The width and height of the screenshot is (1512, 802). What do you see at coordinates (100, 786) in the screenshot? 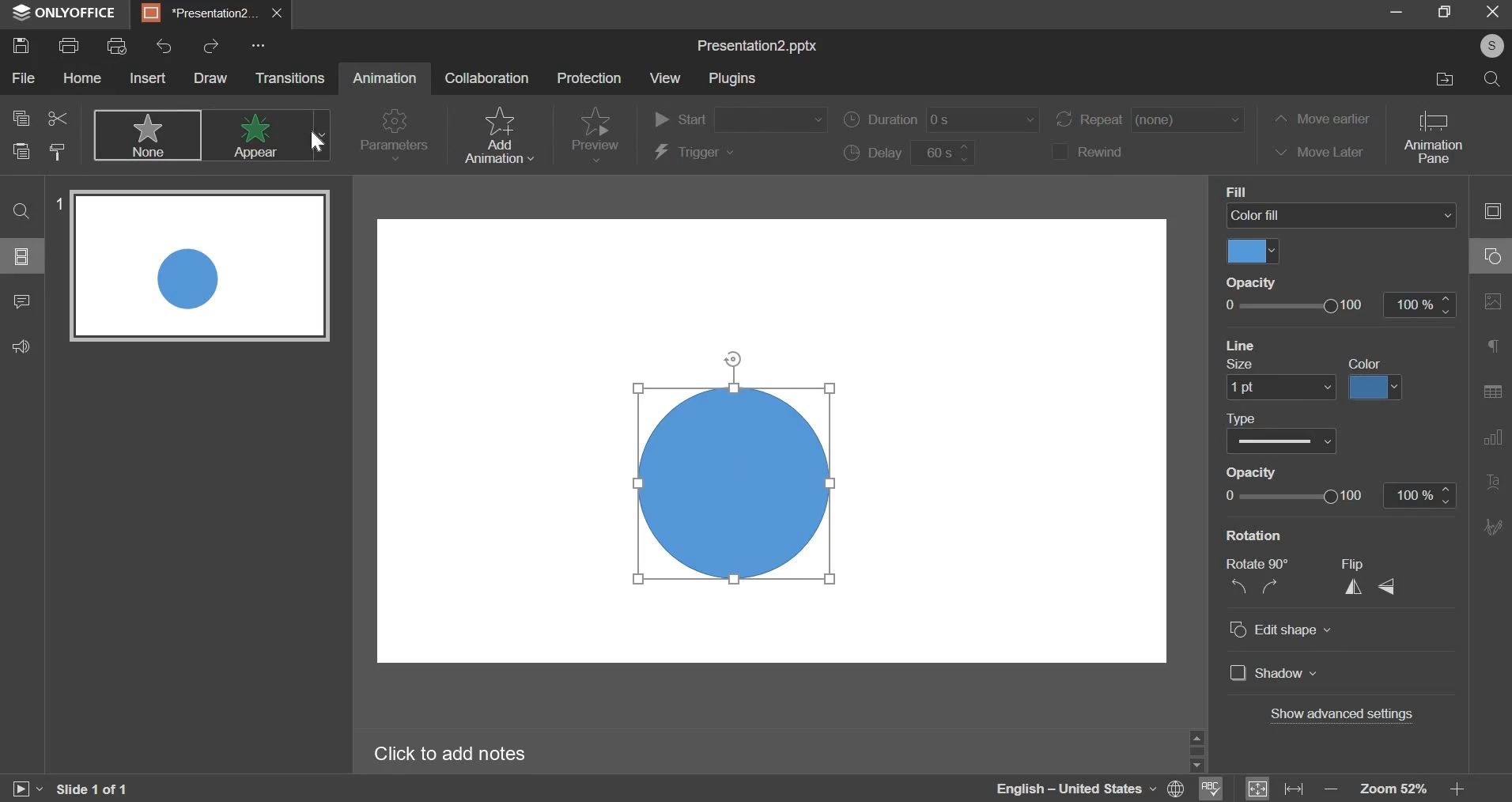
I see `Slide 1 of 1` at bounding box center [100, 786].